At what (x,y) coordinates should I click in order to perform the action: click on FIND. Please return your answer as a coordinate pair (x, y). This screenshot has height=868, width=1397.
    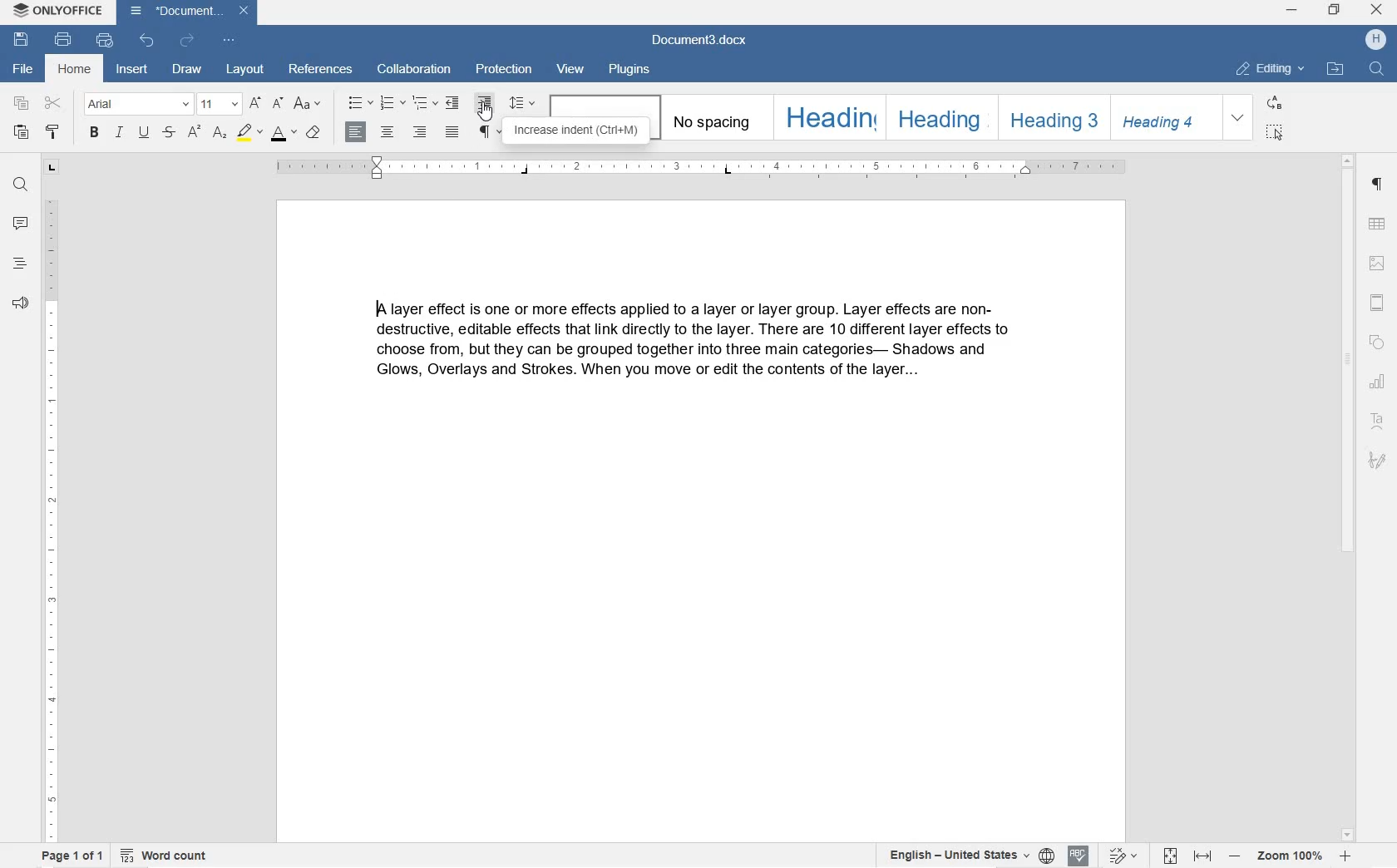
    Looking at the image, I should click on (1375, 68).